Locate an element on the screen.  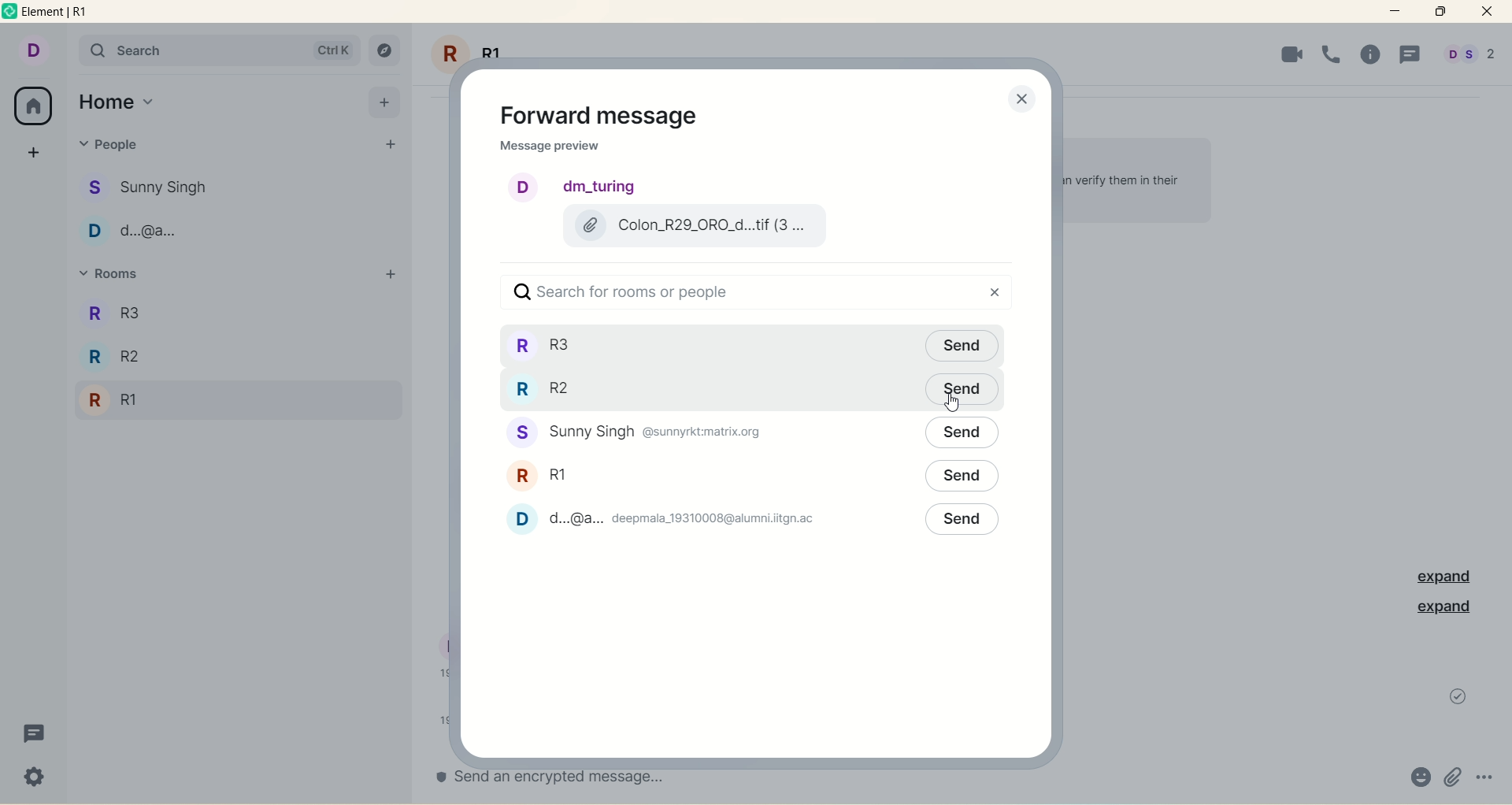
people is located at coordinates (157, 184).